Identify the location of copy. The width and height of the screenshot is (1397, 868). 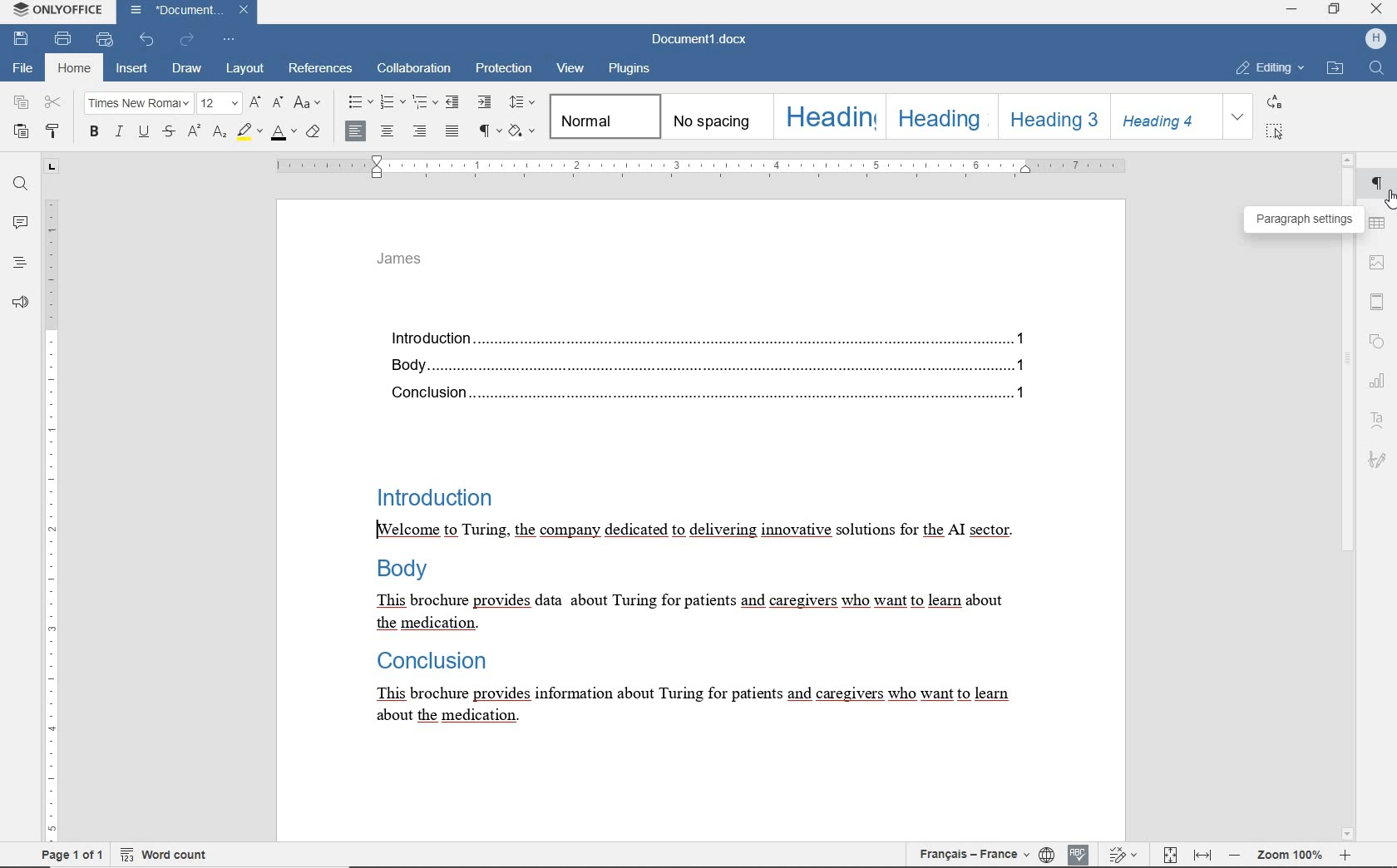
(23, 104).